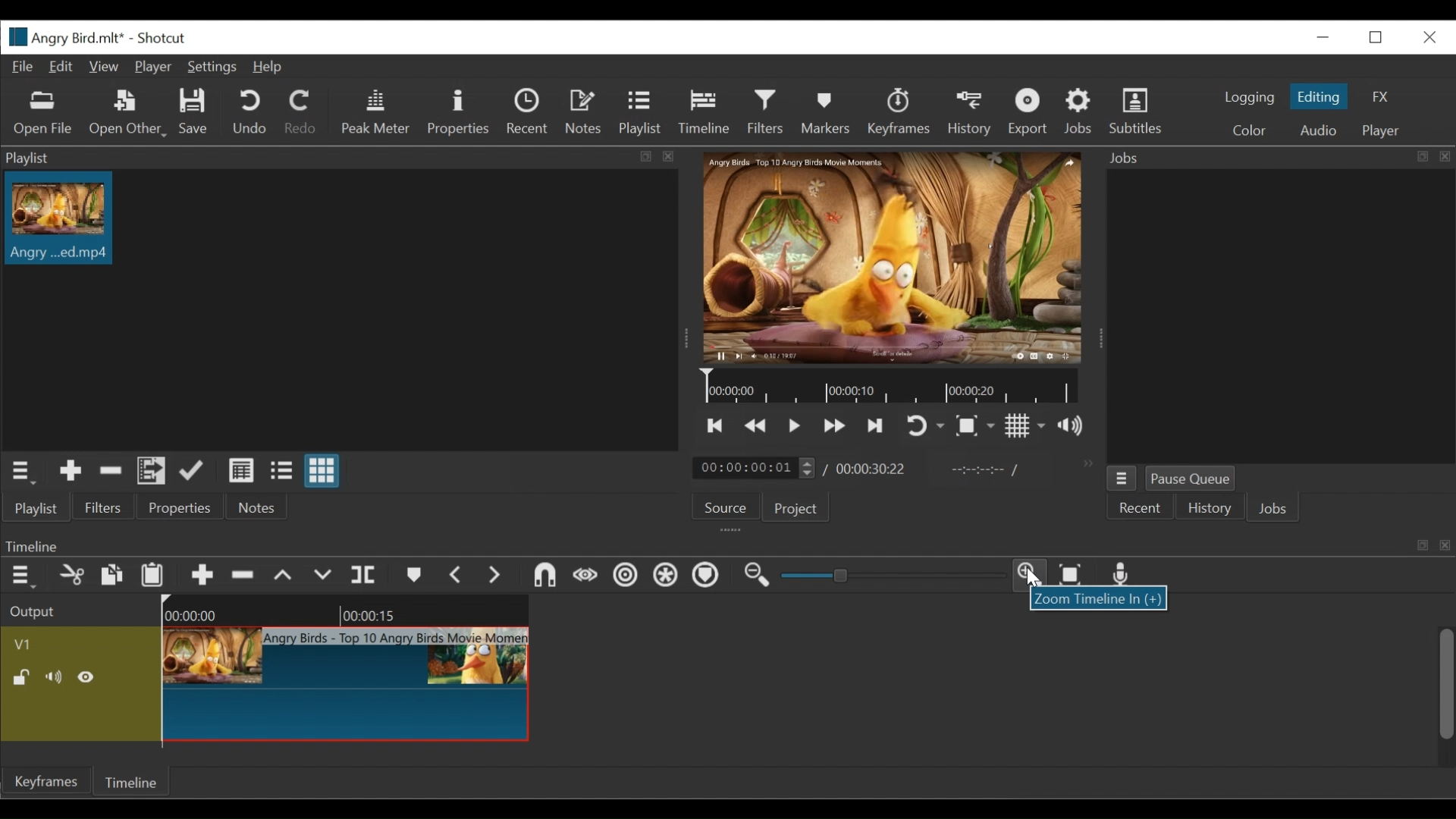 The height and width of the screenshot is (819, 1456). Describe the element at coordinates (726, 504) in the screenshot. I see `Source` at that location.